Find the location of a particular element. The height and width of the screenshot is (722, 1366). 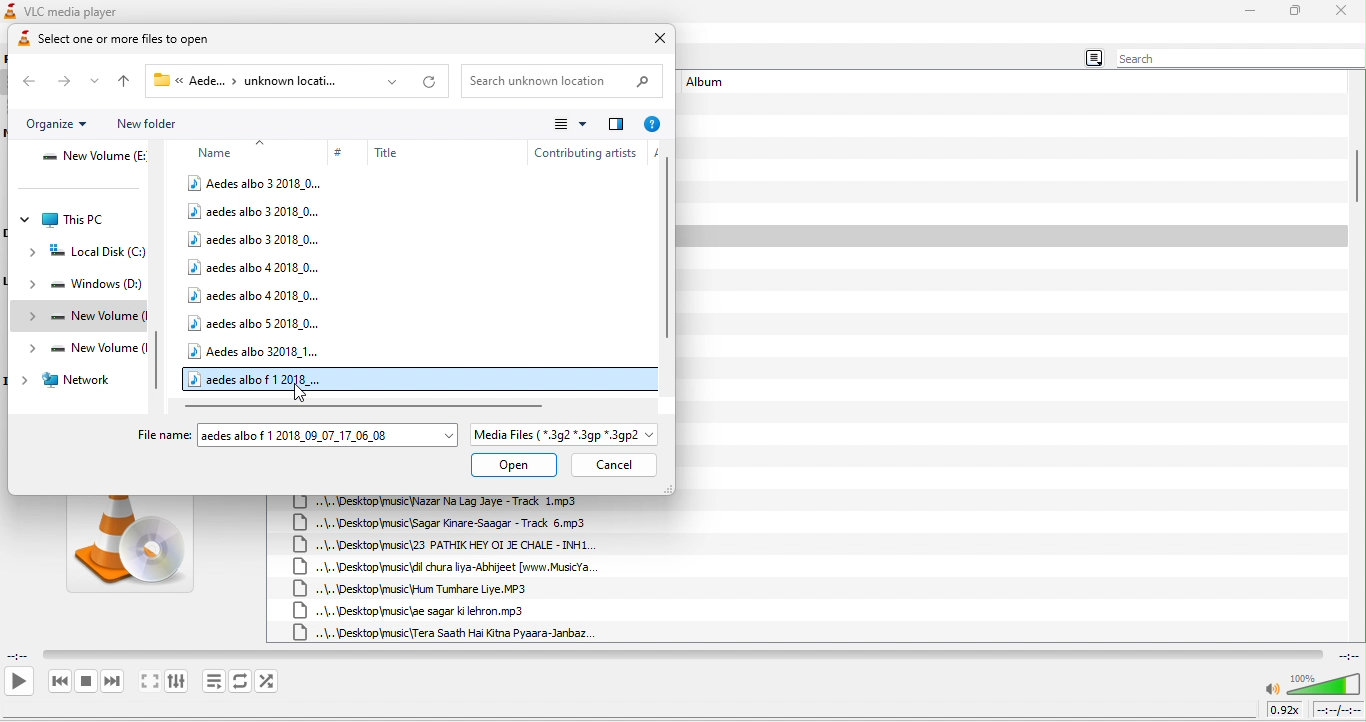

total time is located at coordinates (1346, 655).